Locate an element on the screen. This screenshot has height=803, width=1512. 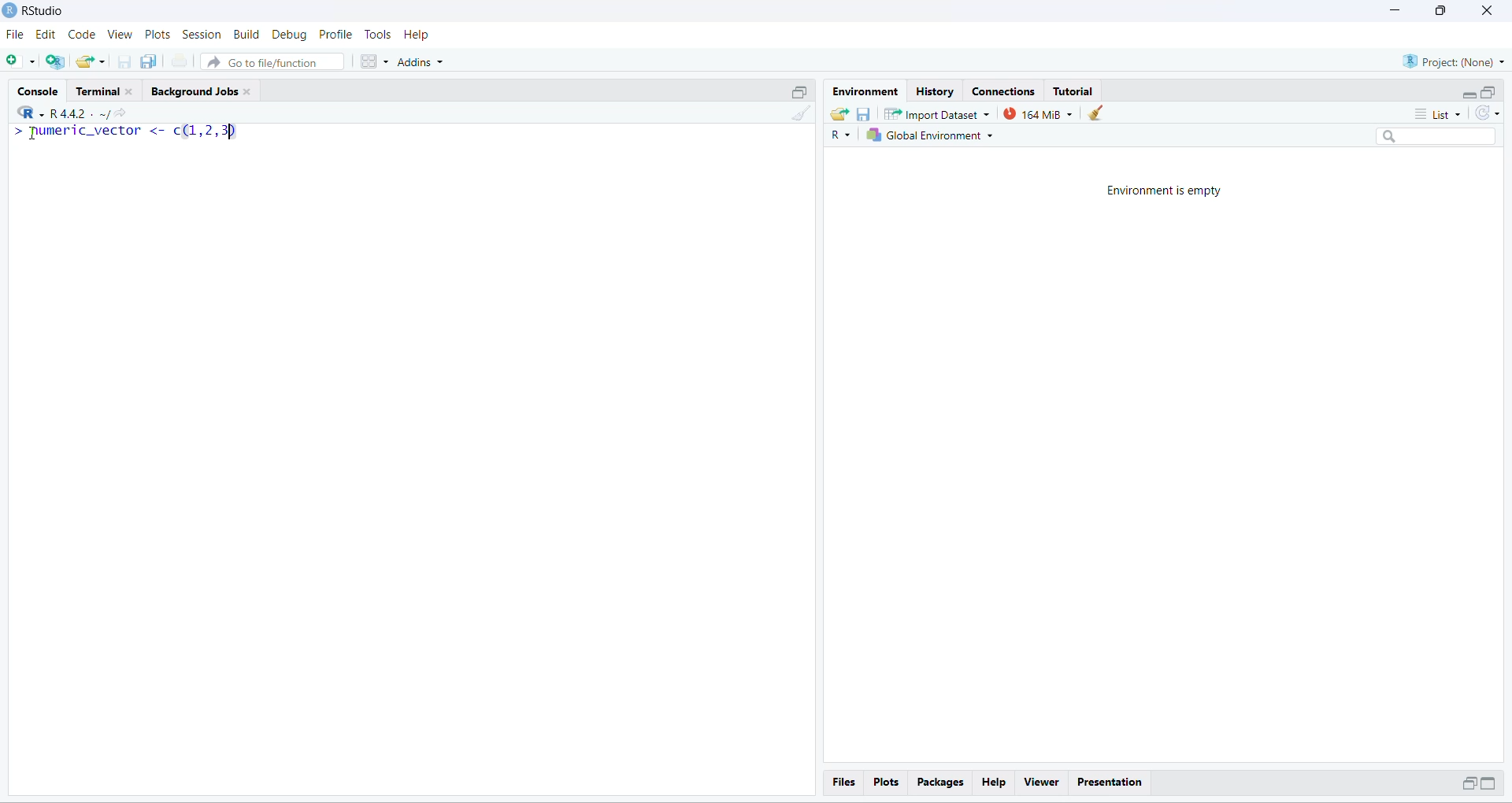
minimize is located at coordinates (1469, 96).